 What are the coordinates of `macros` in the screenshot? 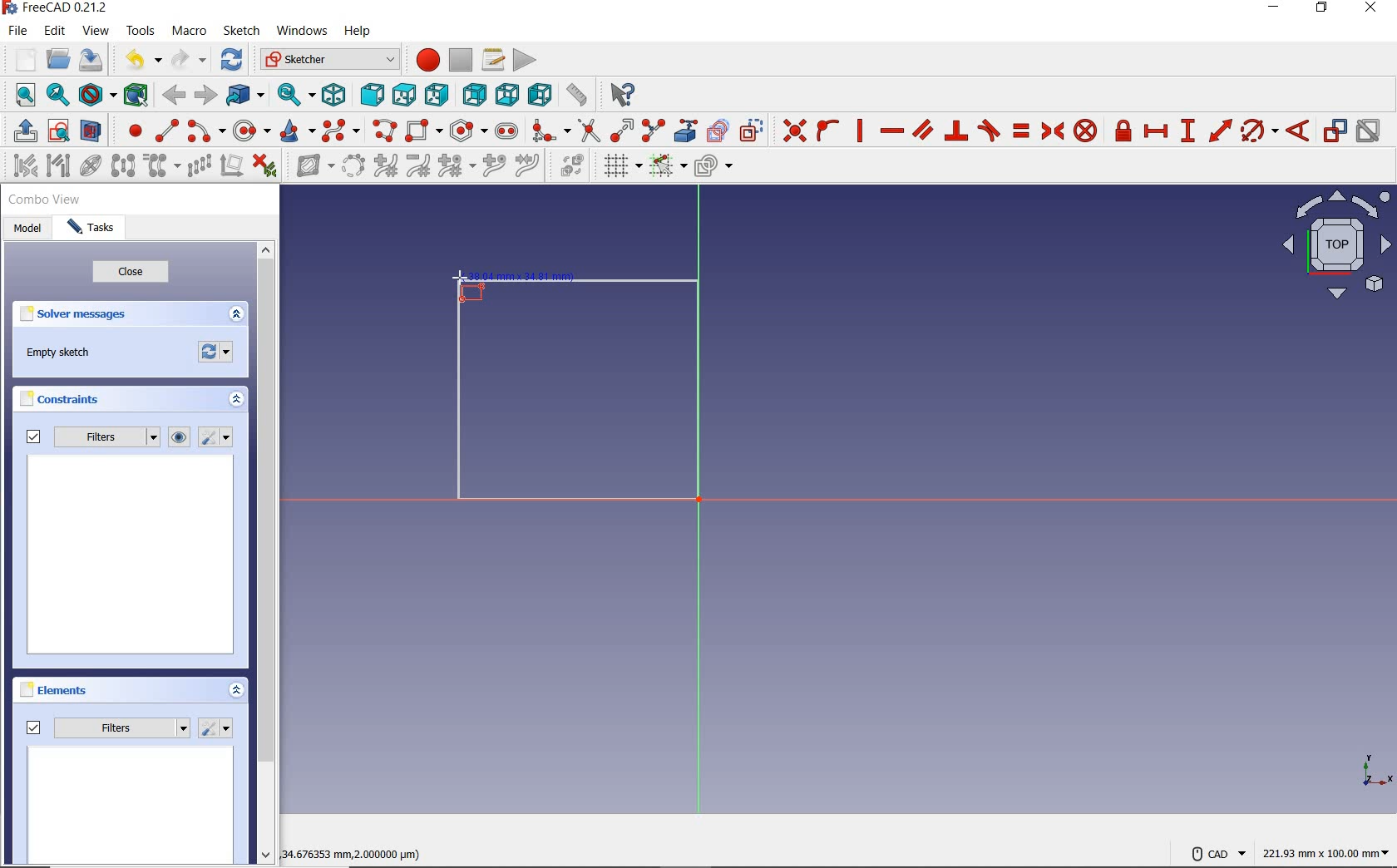 It's located at (492, 60).